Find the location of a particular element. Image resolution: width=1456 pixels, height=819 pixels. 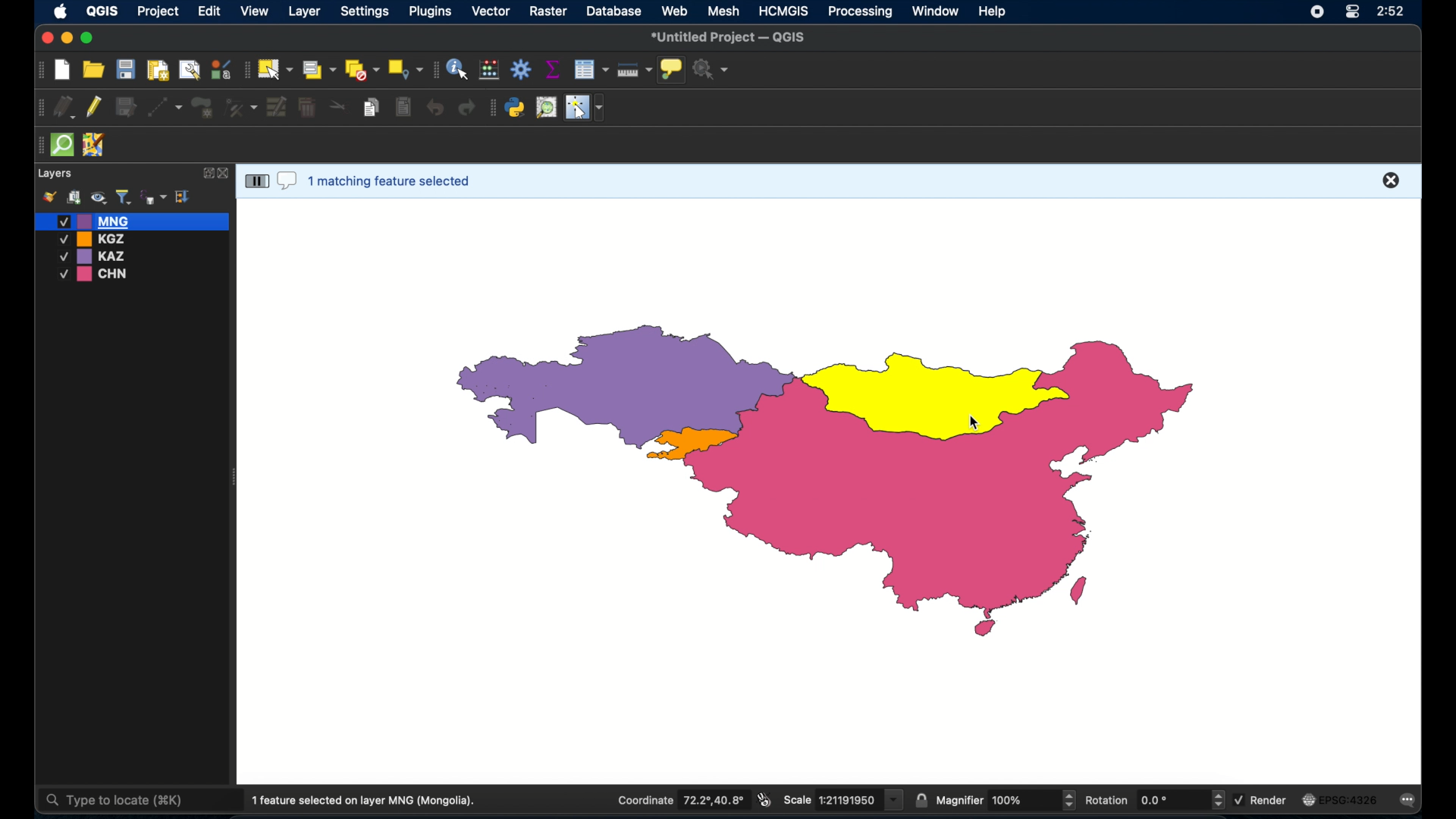

filter legend is located at coordinates (123, 197).